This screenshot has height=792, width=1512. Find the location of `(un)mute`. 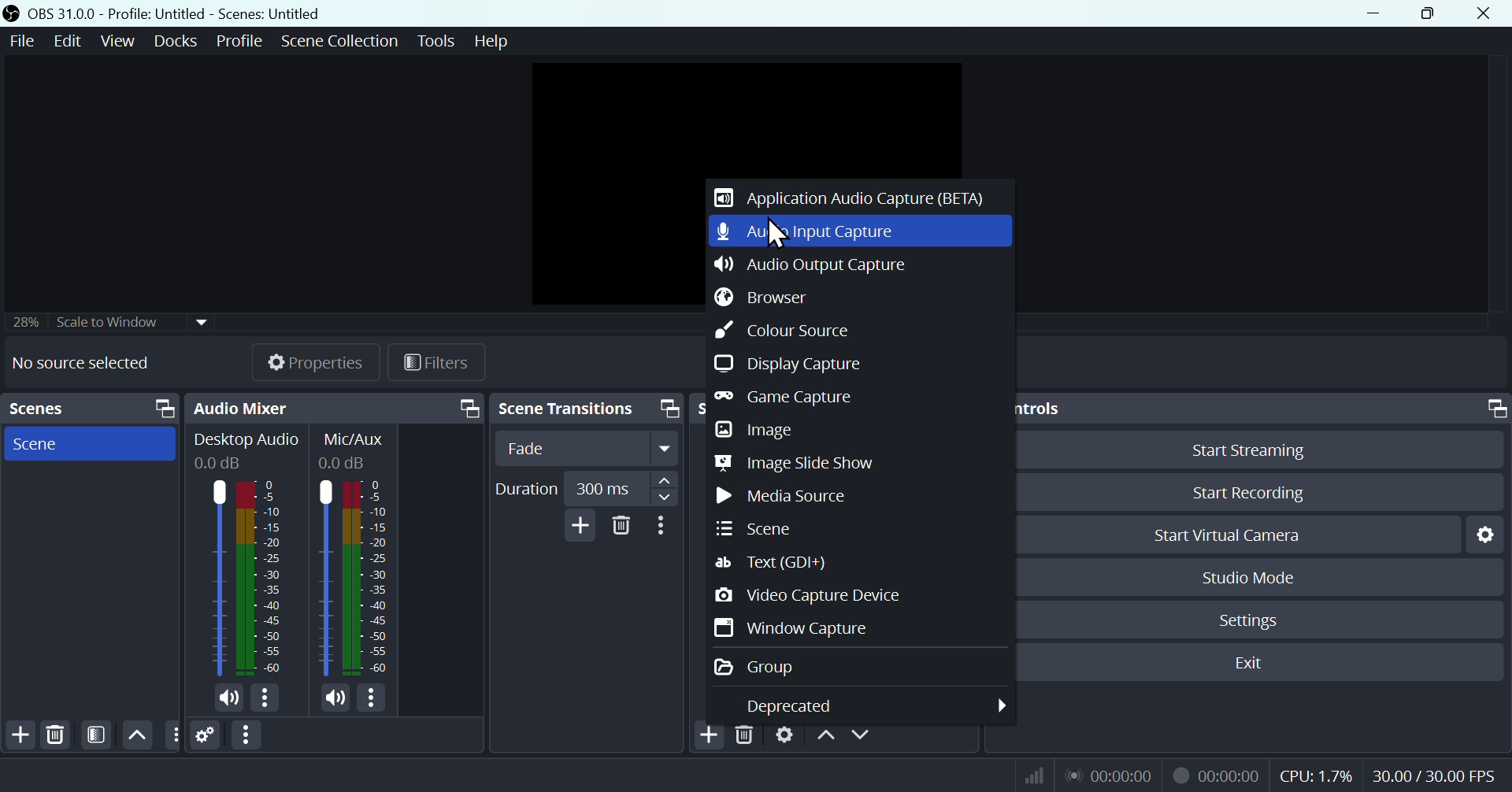

(un)mute is located at coordinates (335, 698).